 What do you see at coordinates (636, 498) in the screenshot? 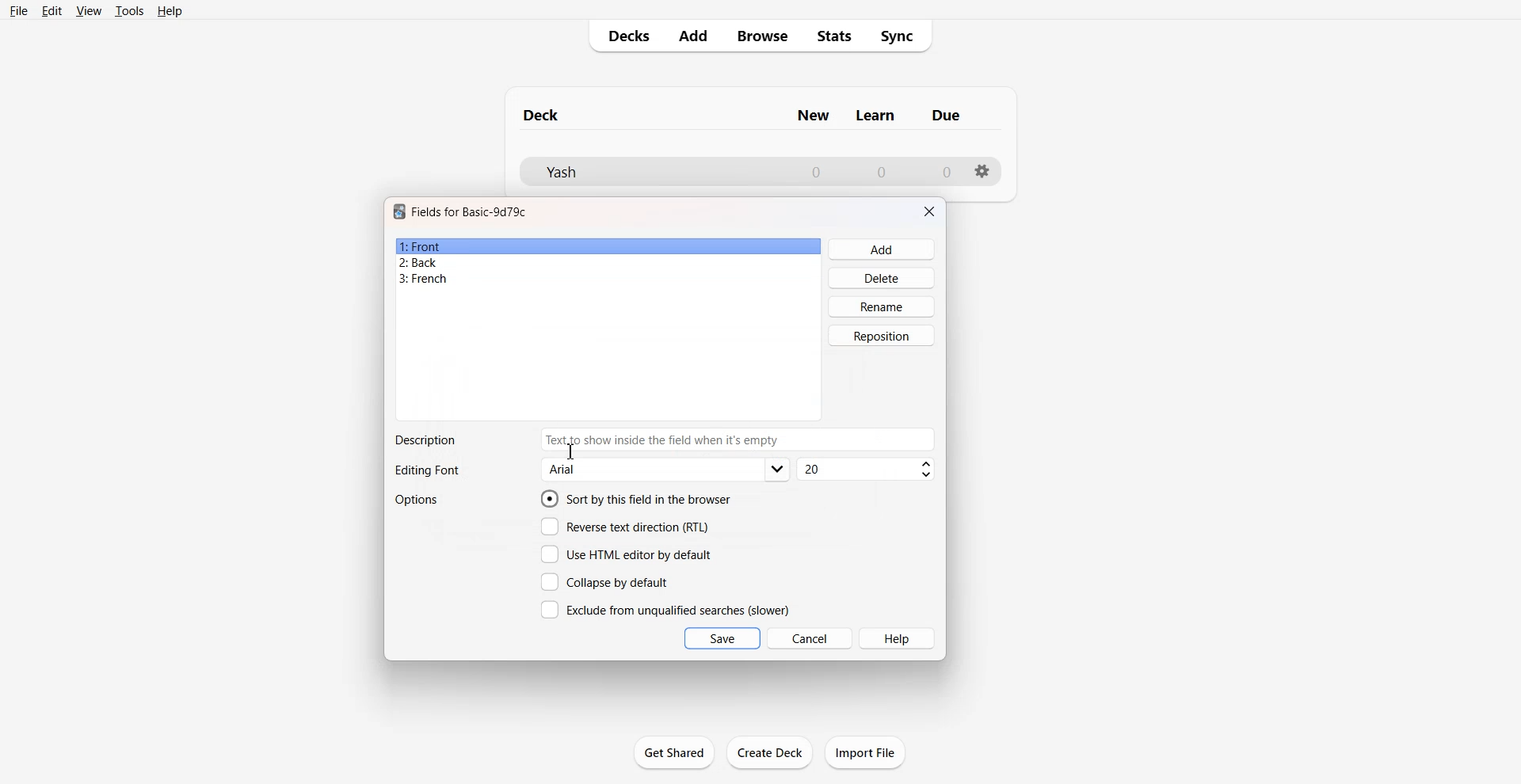
I see `Sort by this field in the browser` at bounding box center [636, 498].